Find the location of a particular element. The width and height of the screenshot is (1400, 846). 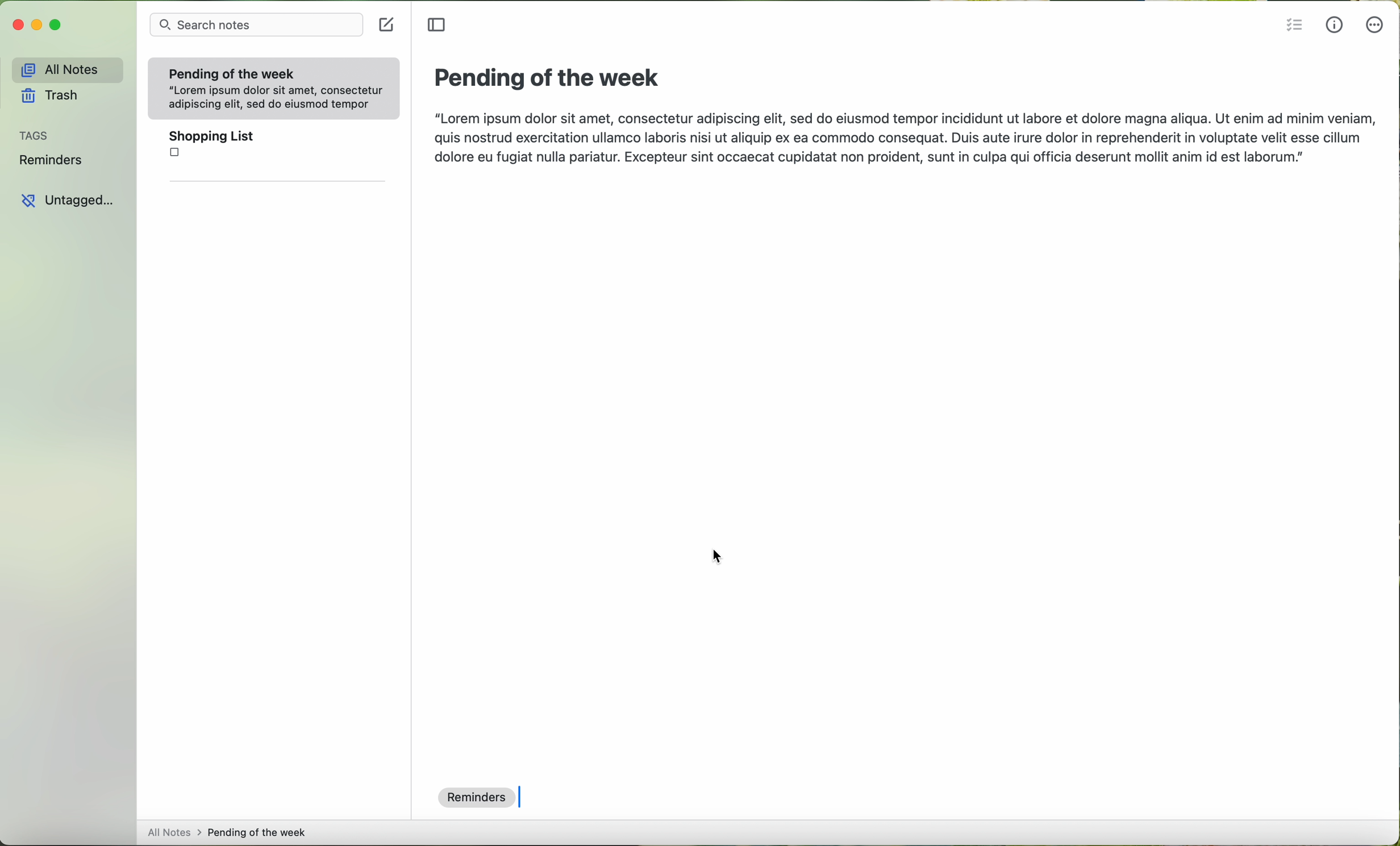

toggle sidebar is located at coordinates (436, 26).